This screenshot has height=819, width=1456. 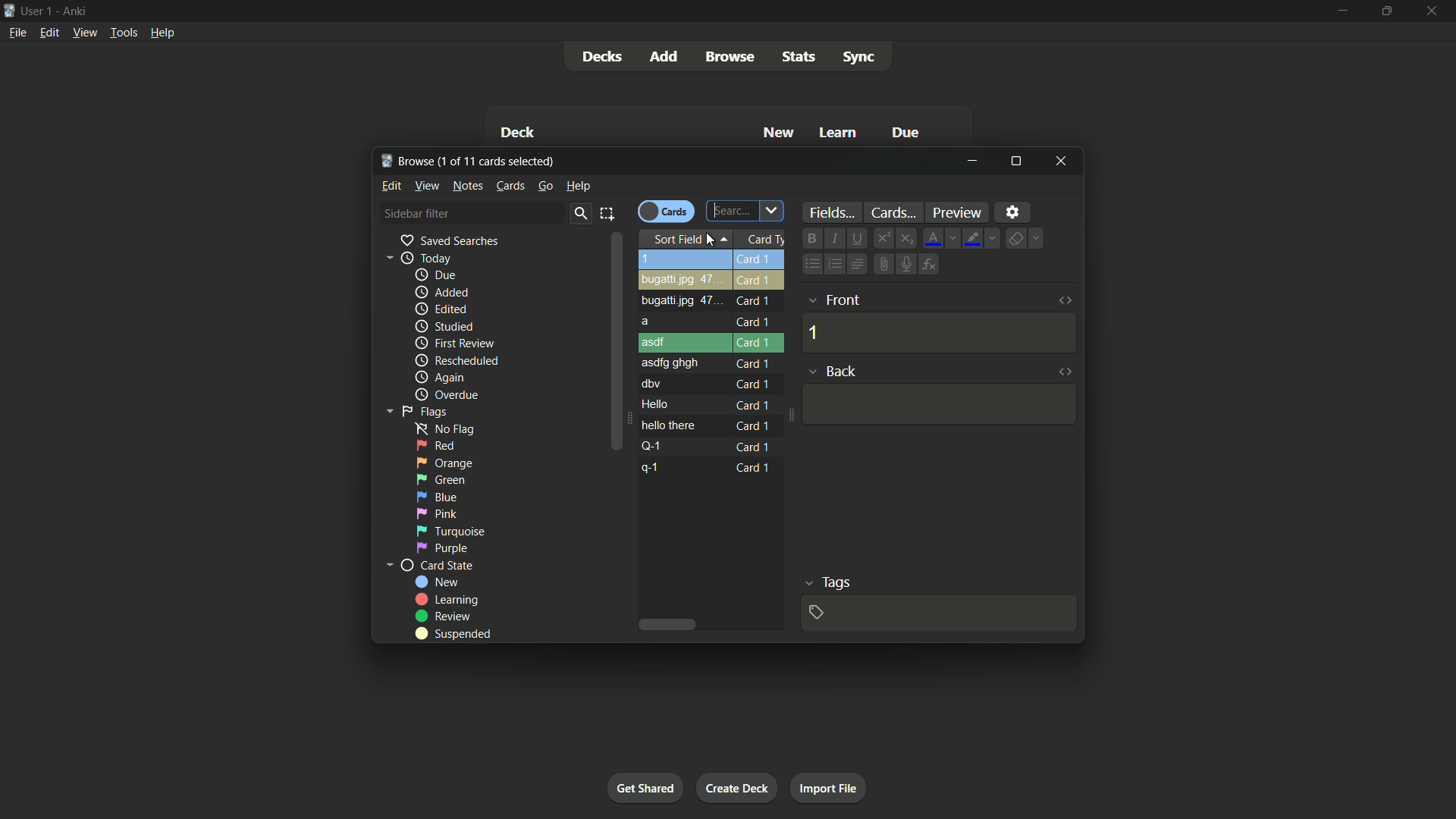 I want to click on notes, so click(x=466, y=186).